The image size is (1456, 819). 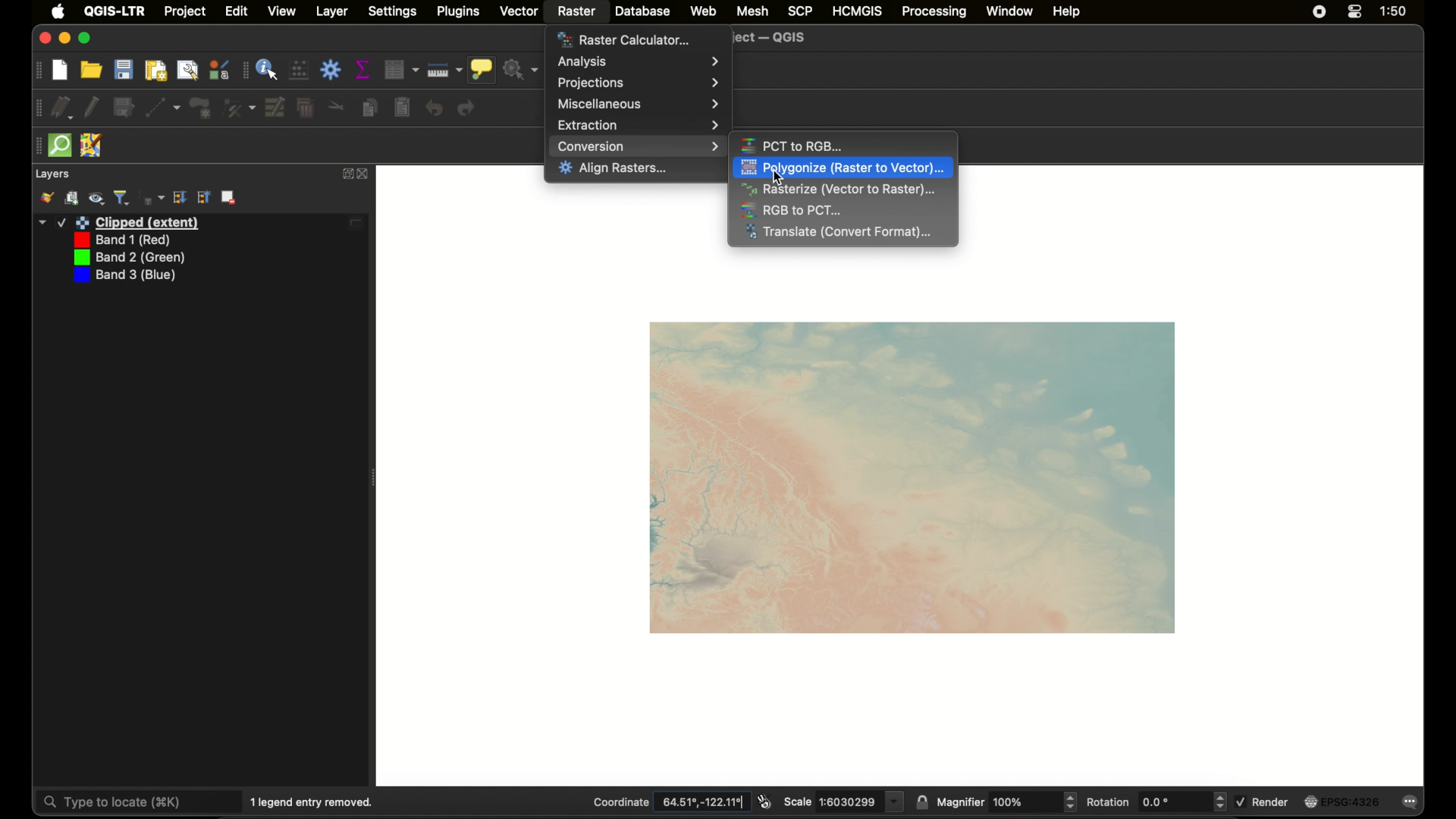 I want to click on align rasters, so click(x=613, y=169).